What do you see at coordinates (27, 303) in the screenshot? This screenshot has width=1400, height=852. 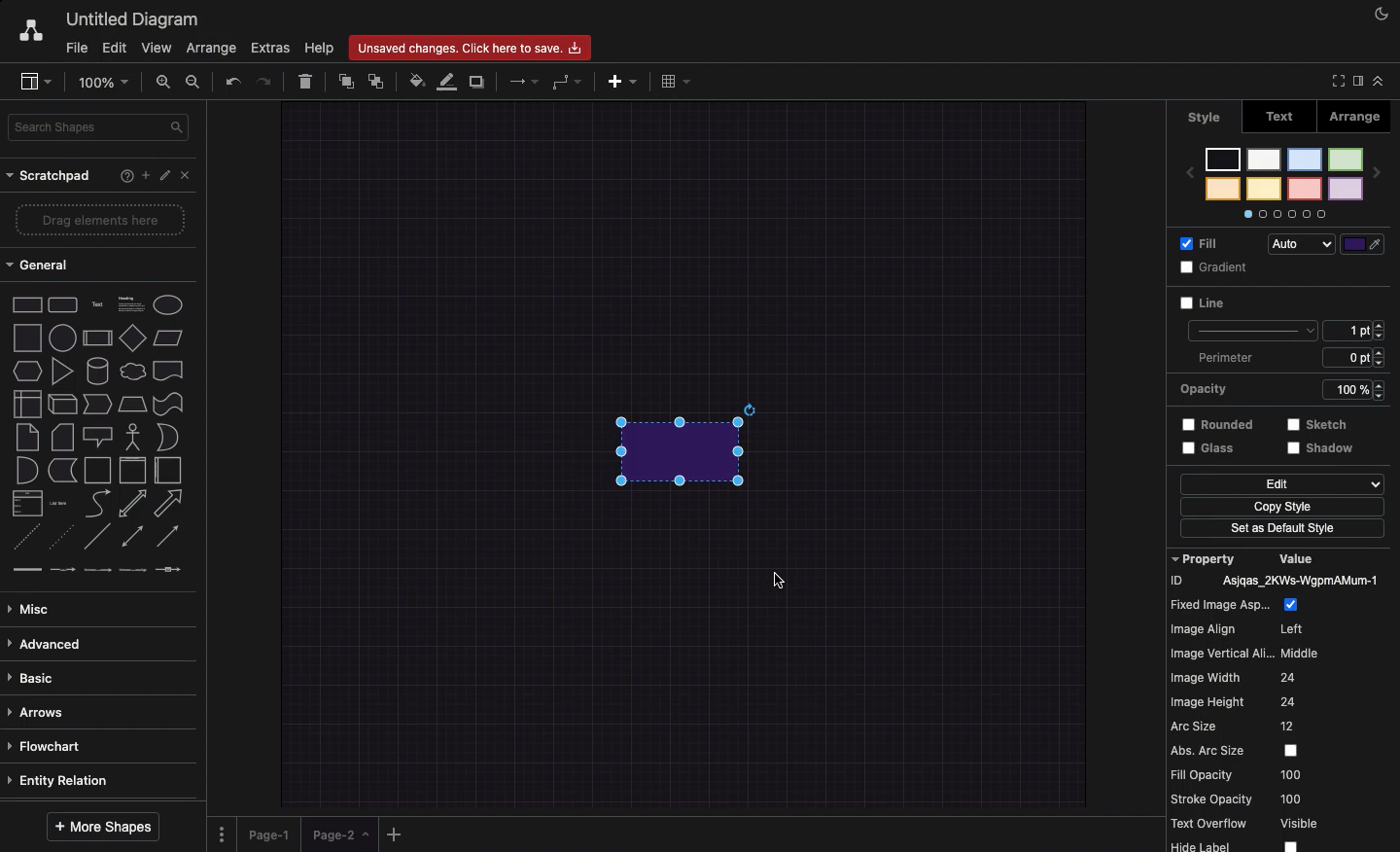 I see `rectangle` at bounding box center [27, 303].